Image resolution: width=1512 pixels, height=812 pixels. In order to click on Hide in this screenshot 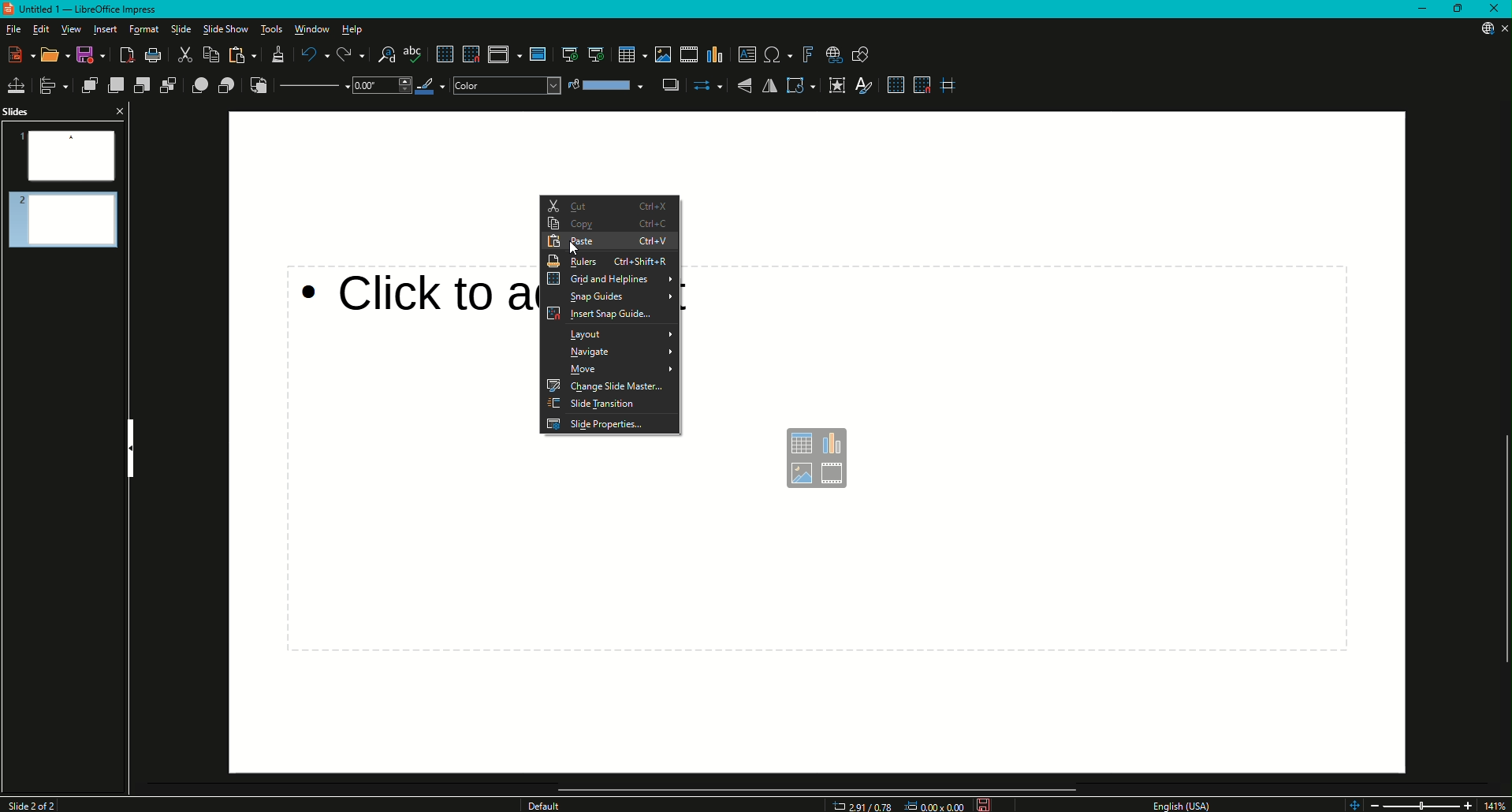, I will do `click(132, 442)`.